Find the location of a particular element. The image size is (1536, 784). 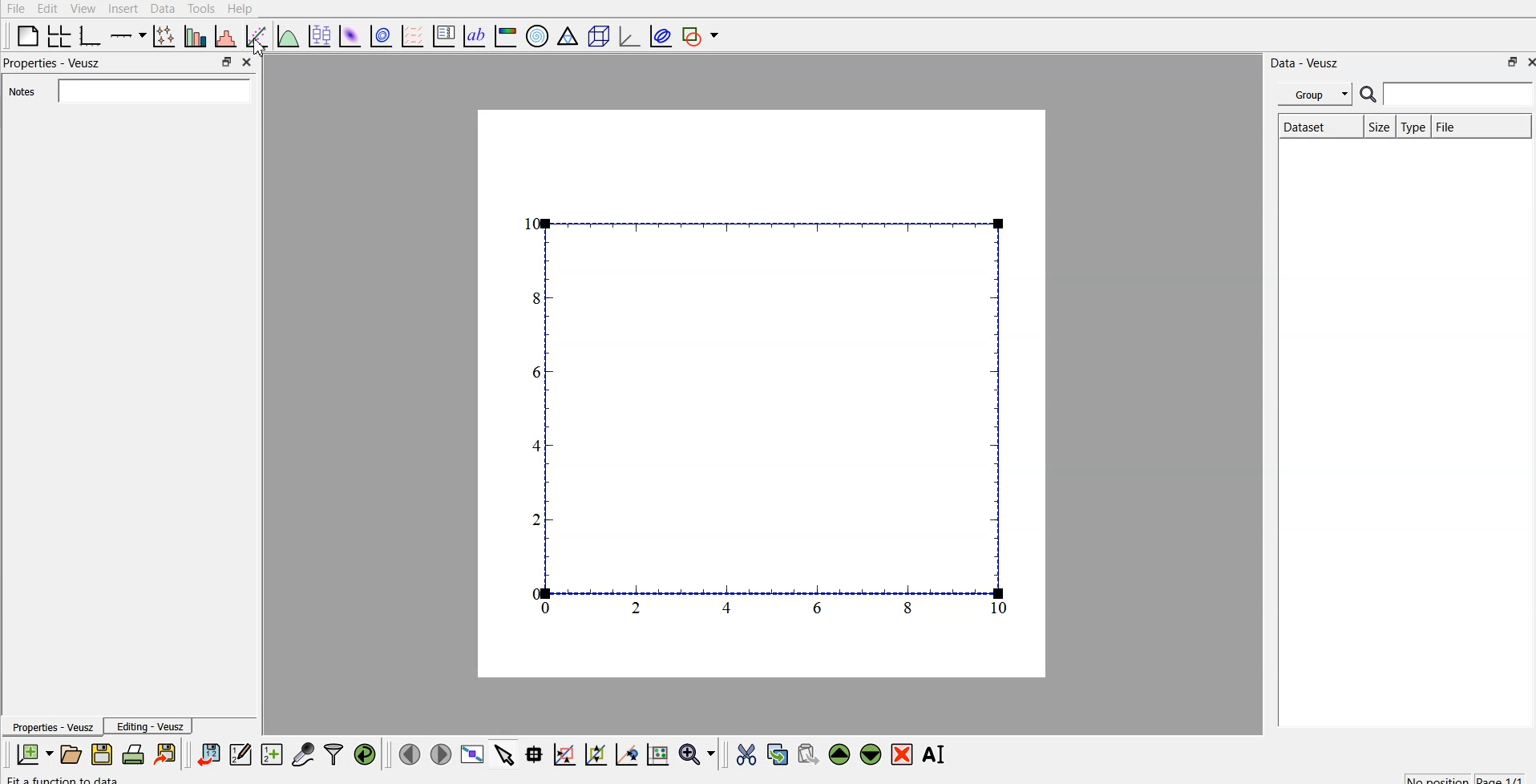

close is located at coordinates (1526, 65).